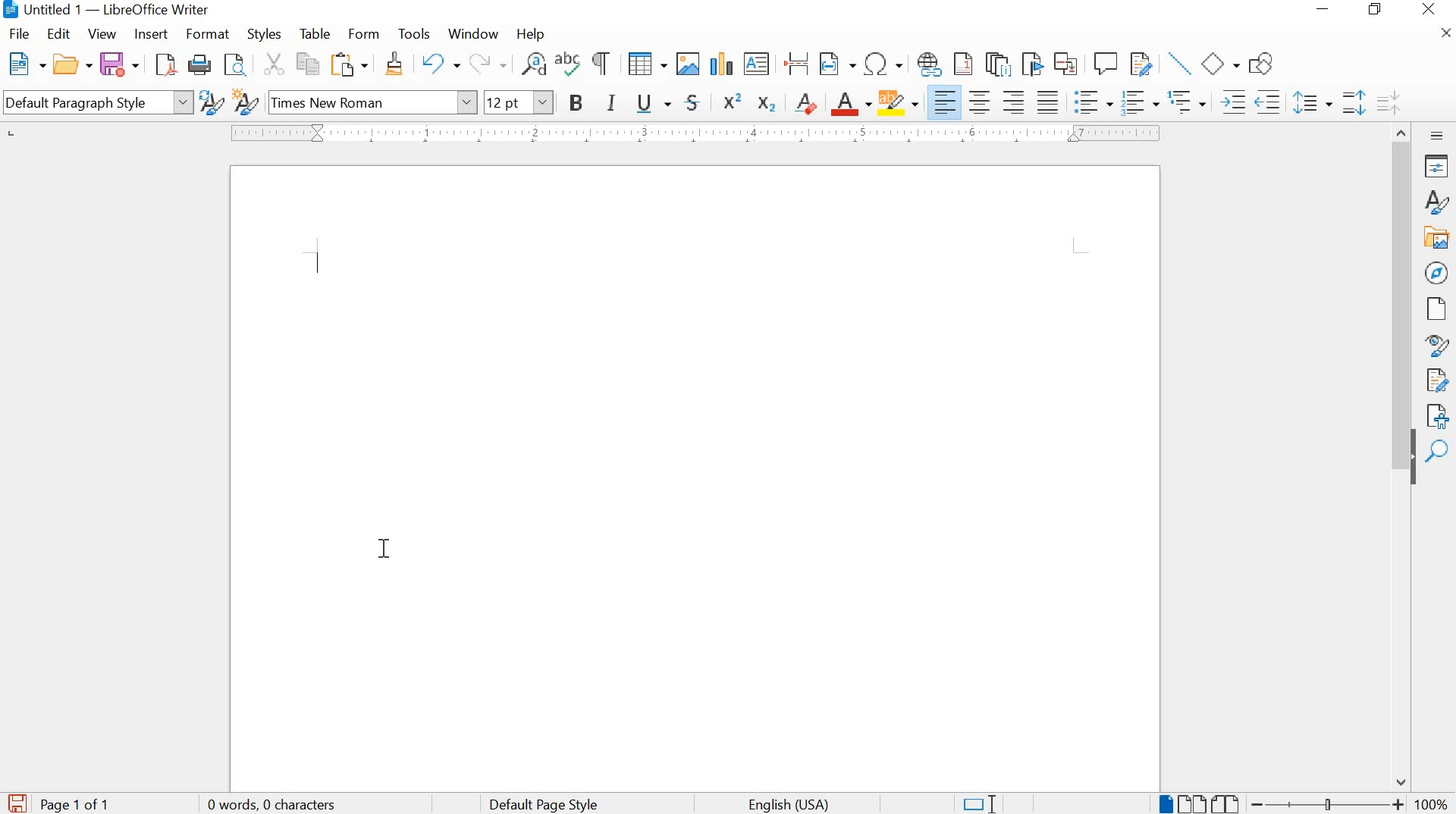  I want to click on NAVIGATOR, so click(1436, 273).